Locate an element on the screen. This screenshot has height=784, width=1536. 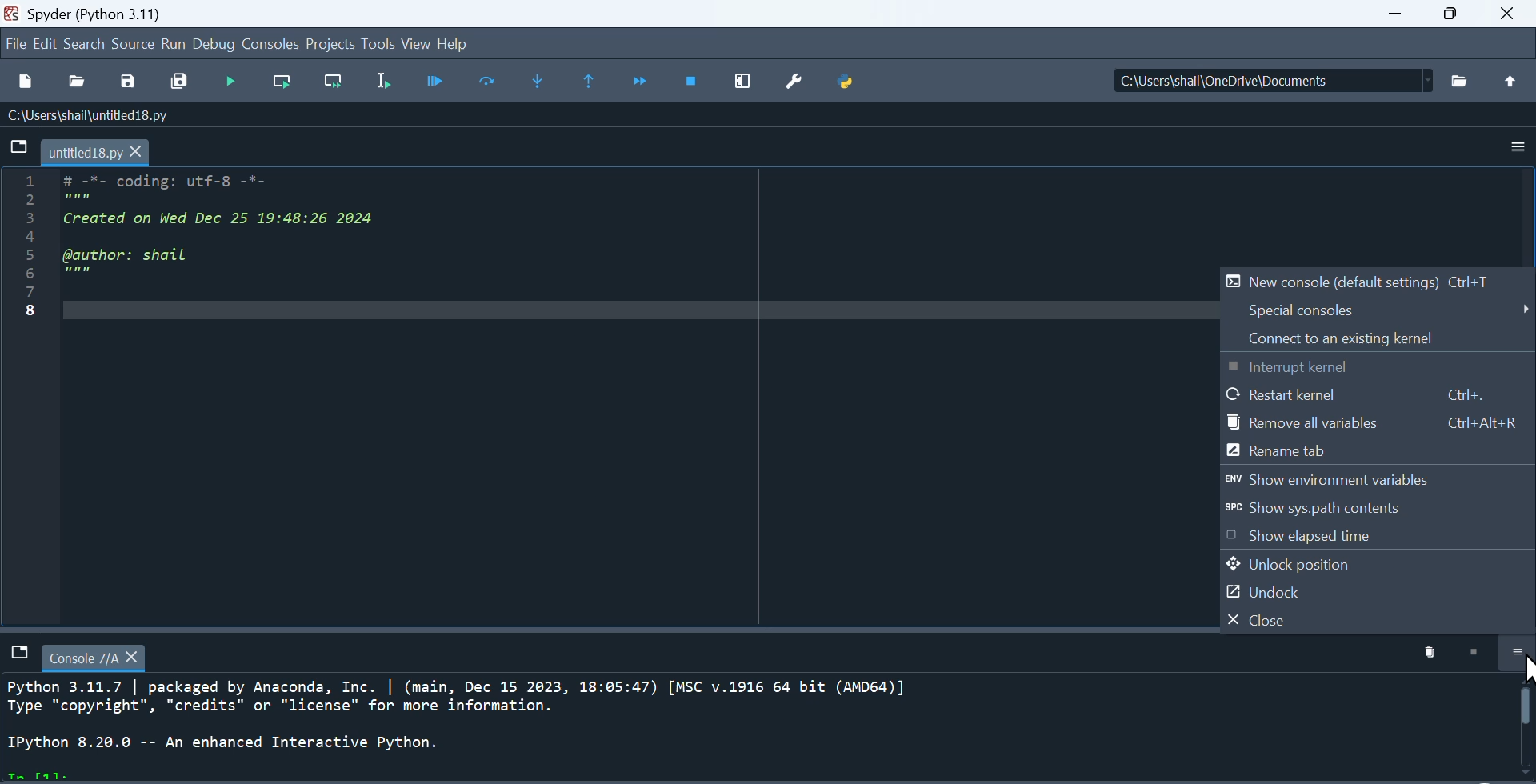
save is located at coordinates (130, 81).